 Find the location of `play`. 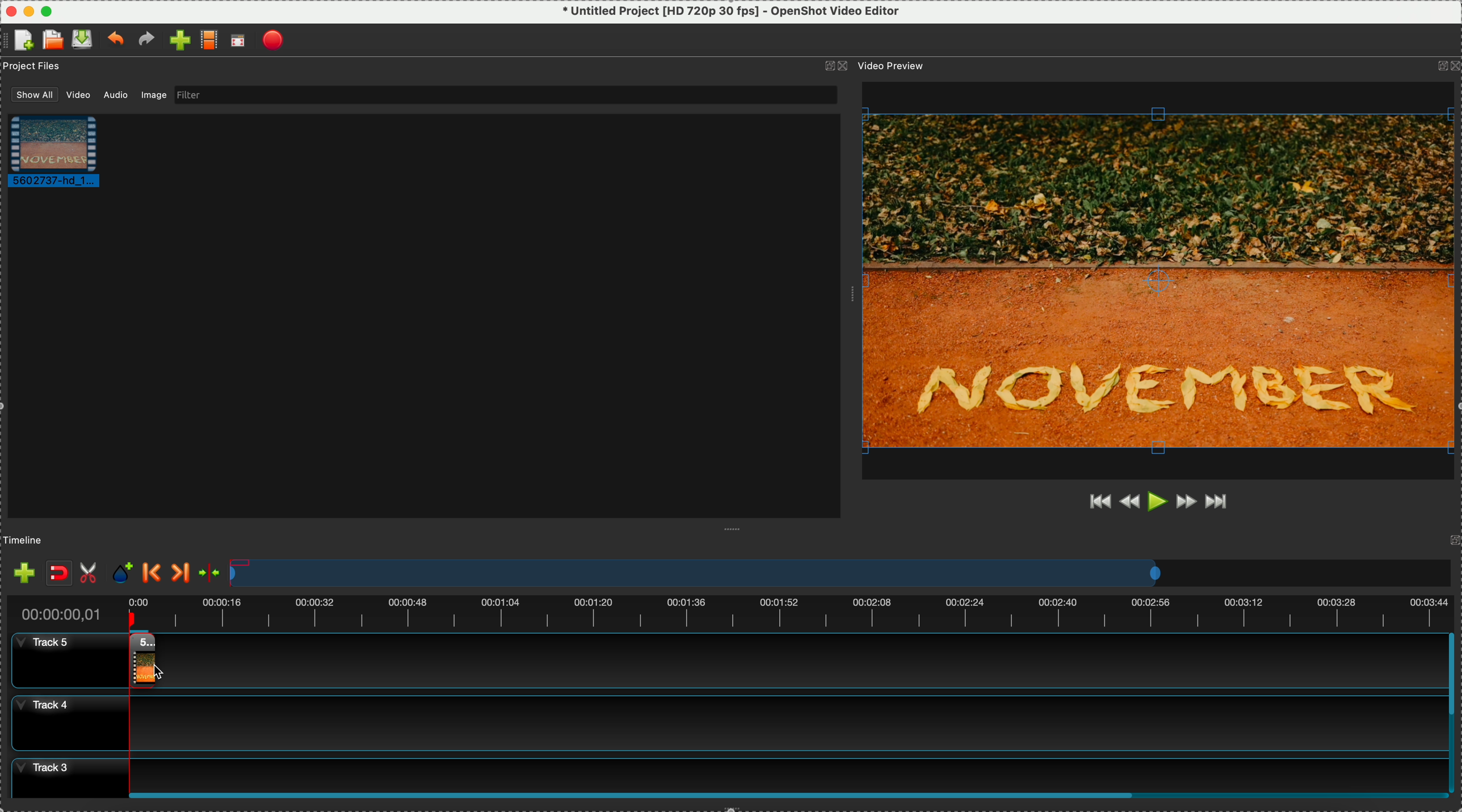

play is located at coordinates (1158, 502).